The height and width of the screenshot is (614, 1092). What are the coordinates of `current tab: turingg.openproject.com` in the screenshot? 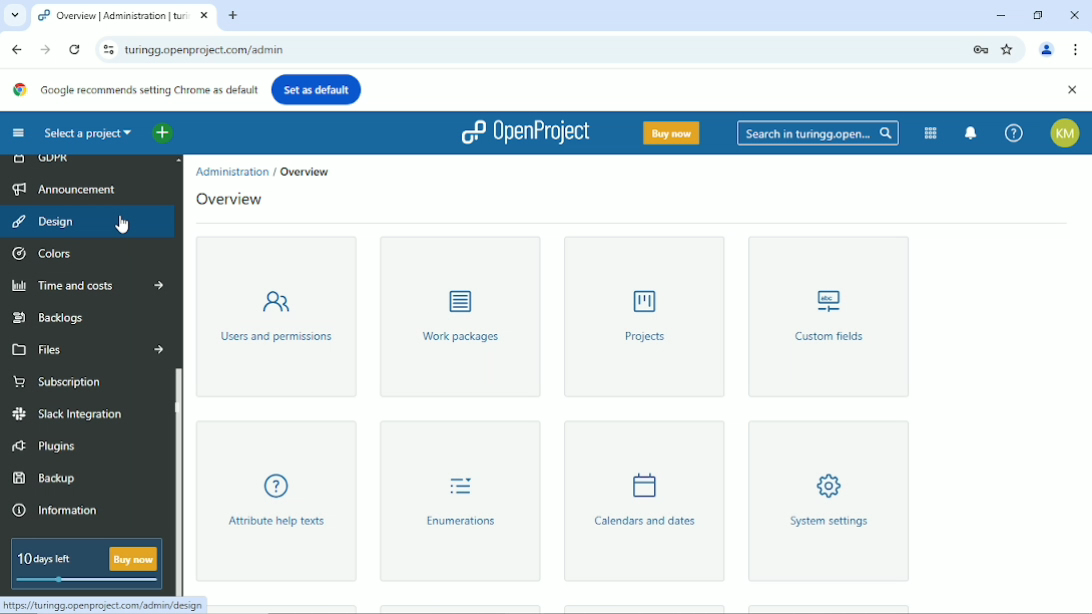 It's located at (113, 18).